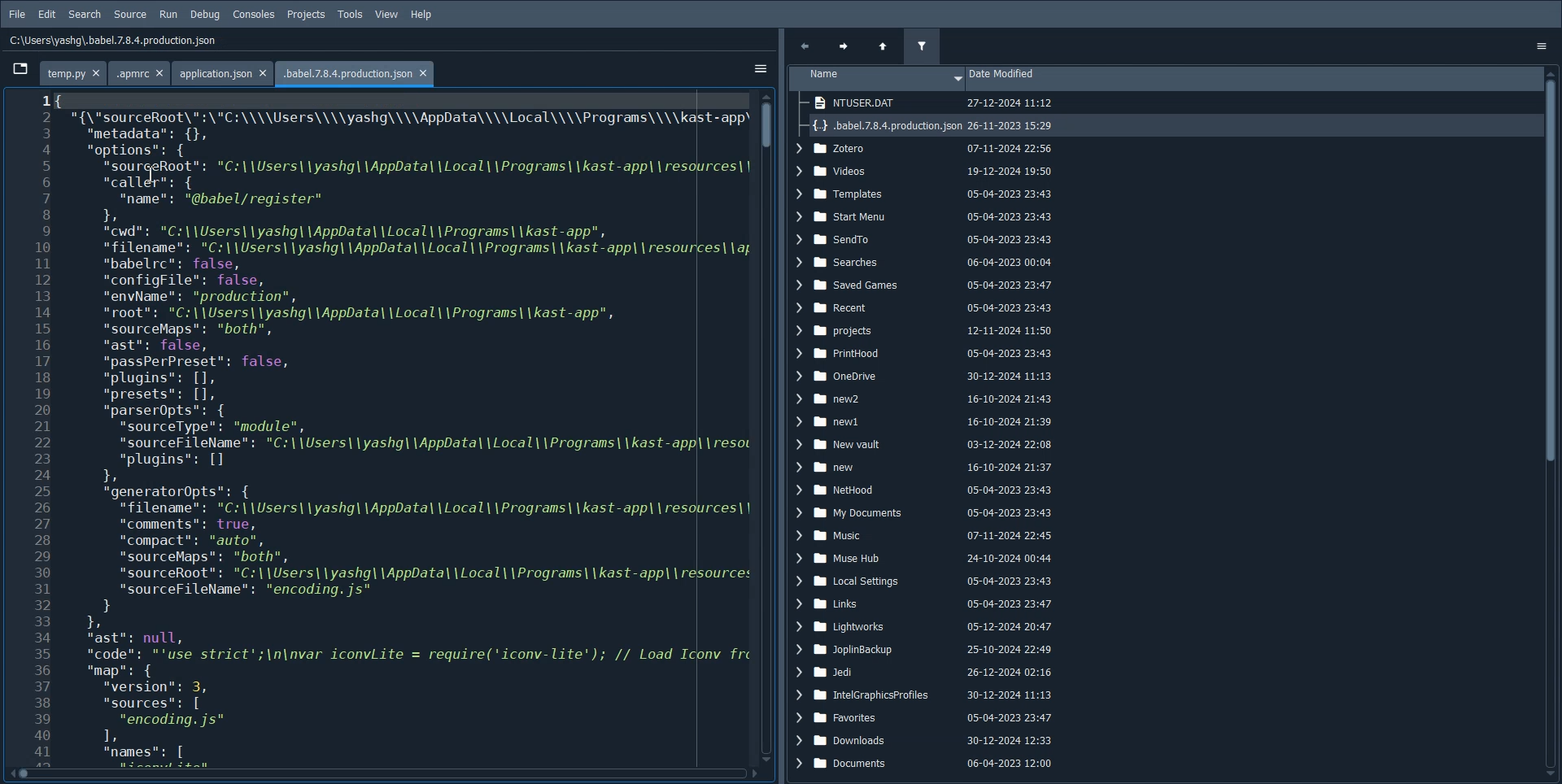  What do you see at coordinates (26, 429) in the screenshot?
I see `Line number` at bounding box center [26, 429].